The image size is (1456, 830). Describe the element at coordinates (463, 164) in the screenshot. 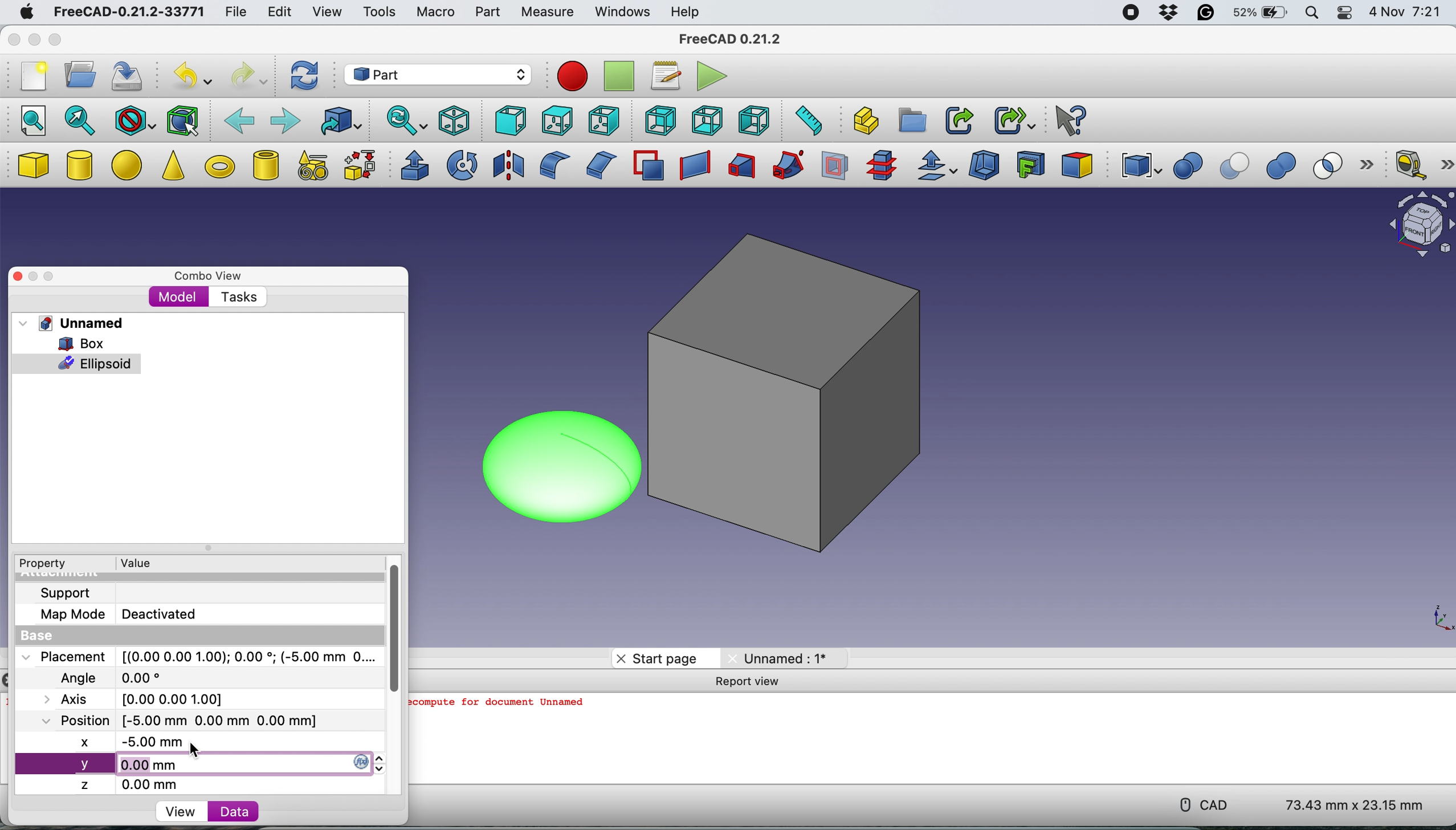

I see `revolve` at that location.